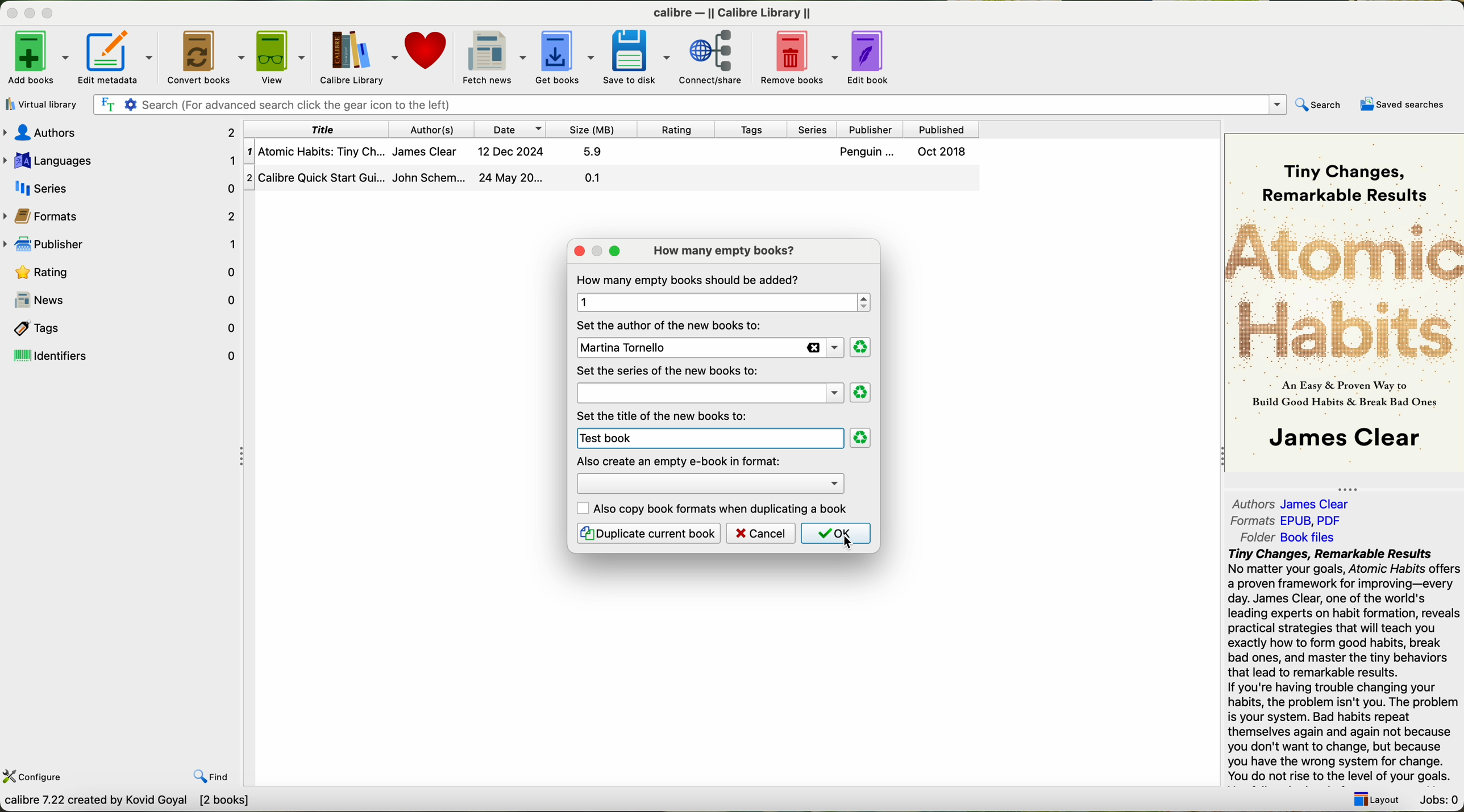  I want to click on get books, so click(563, 57).